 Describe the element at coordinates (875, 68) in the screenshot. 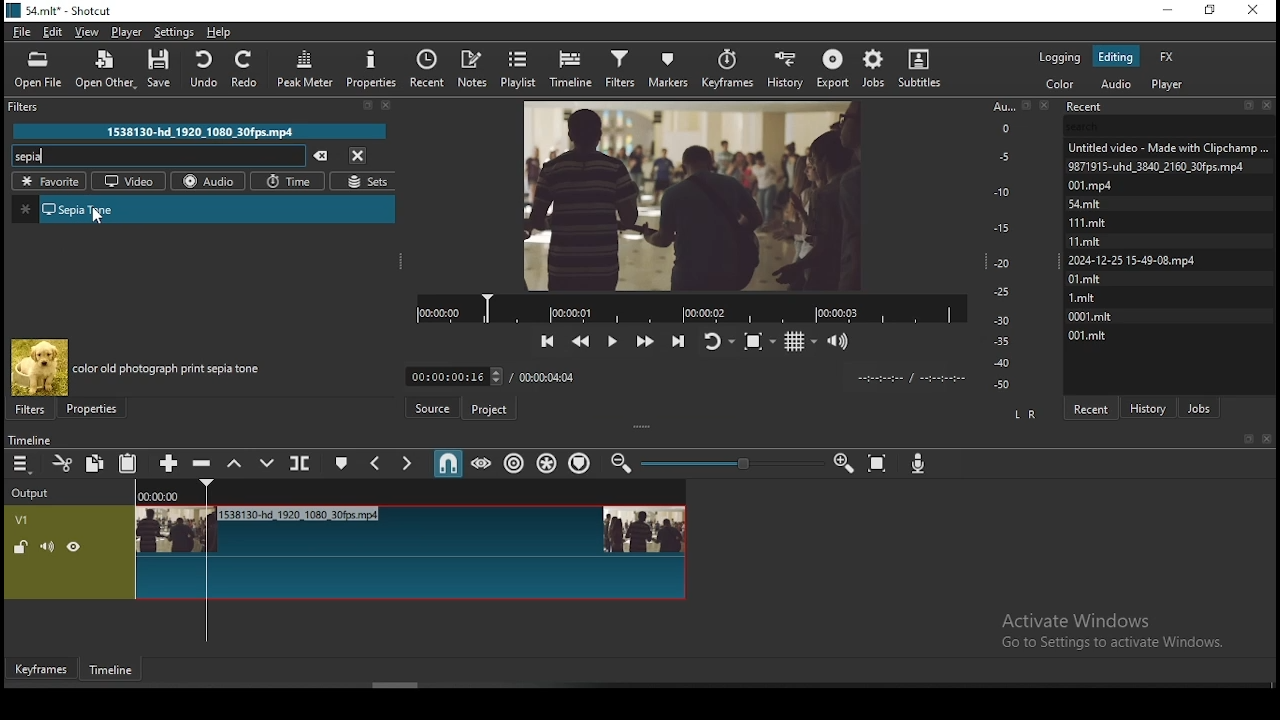

I see `jobs` at that location.